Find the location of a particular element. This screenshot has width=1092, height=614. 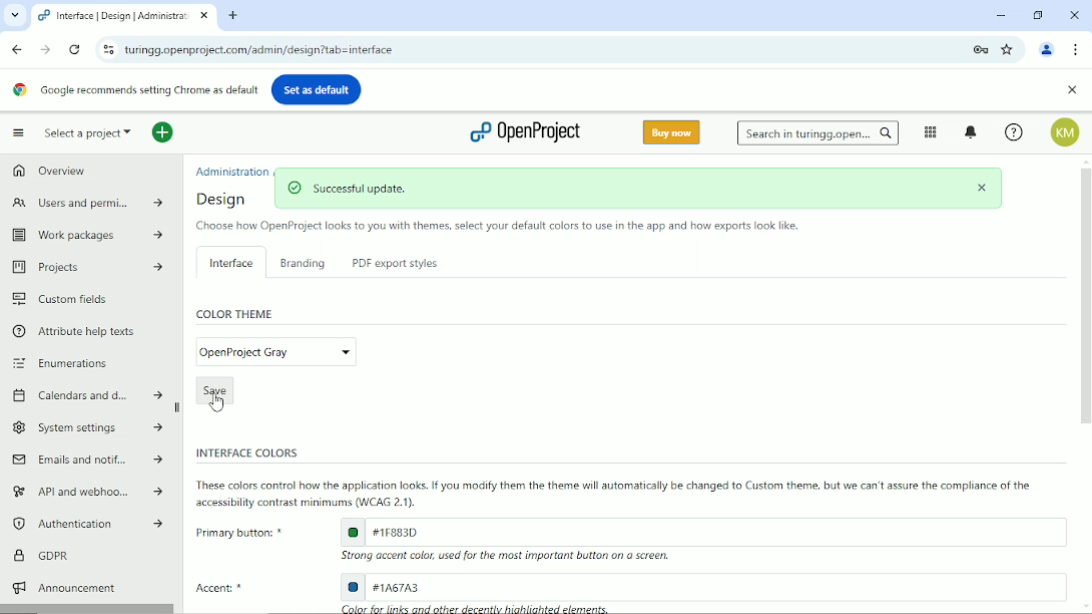

Choose how OpenProject looks to you with themes, select your default colors to use in the app and how exports look hike. is located at coordinates (495, 227).